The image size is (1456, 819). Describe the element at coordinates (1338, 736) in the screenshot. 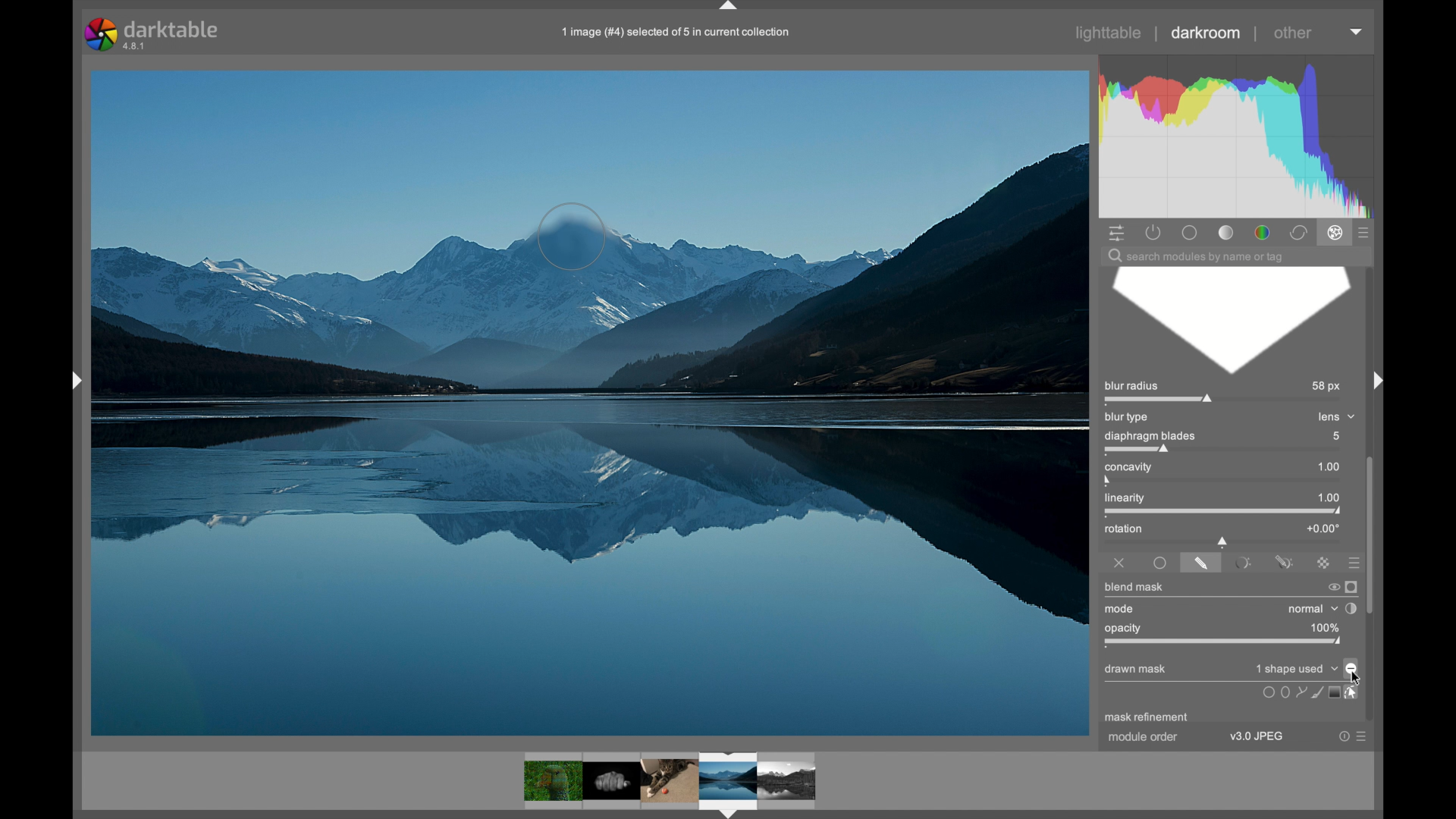

I see `help` at that location.